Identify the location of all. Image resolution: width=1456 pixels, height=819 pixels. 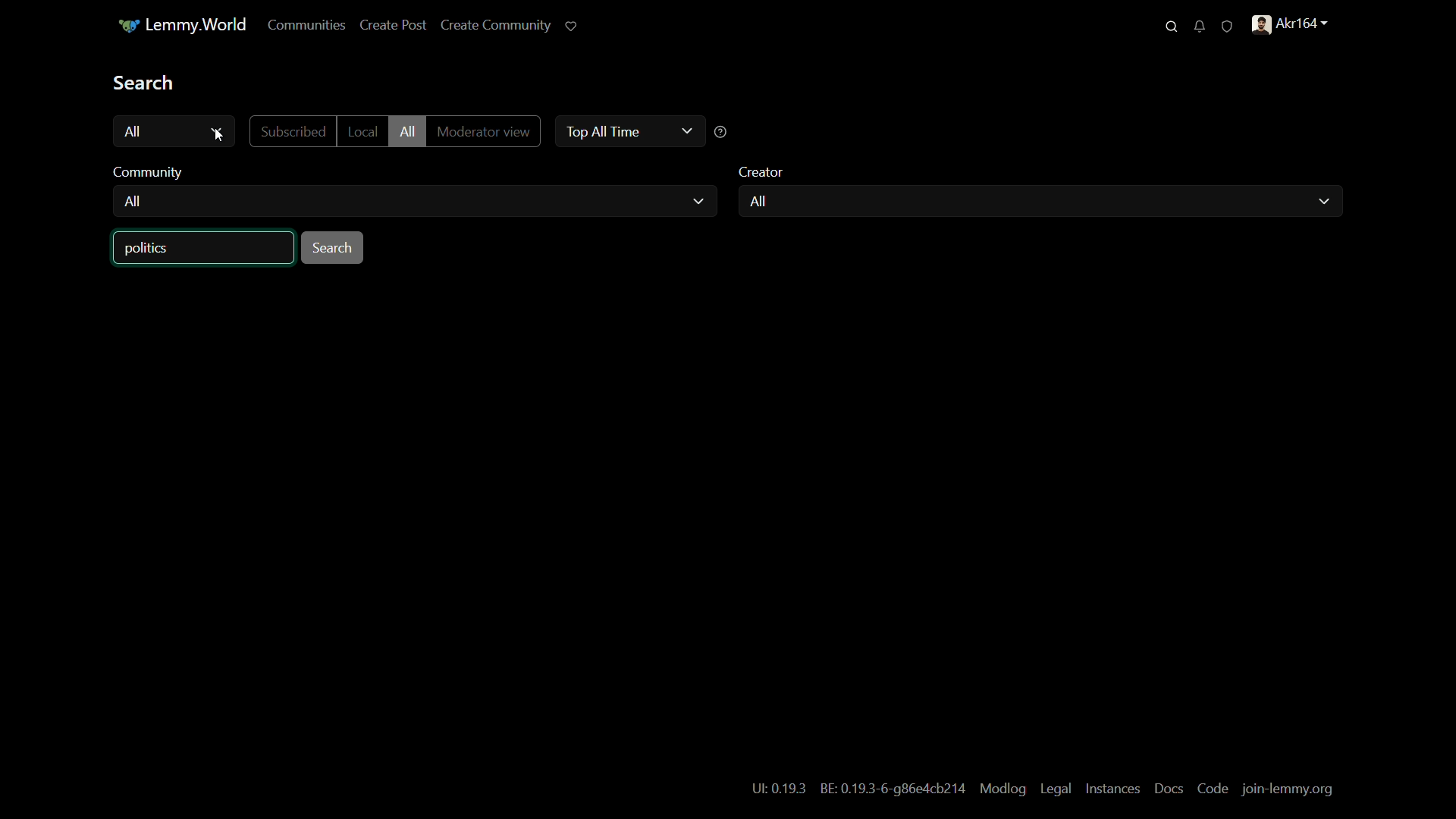
(133, 203).